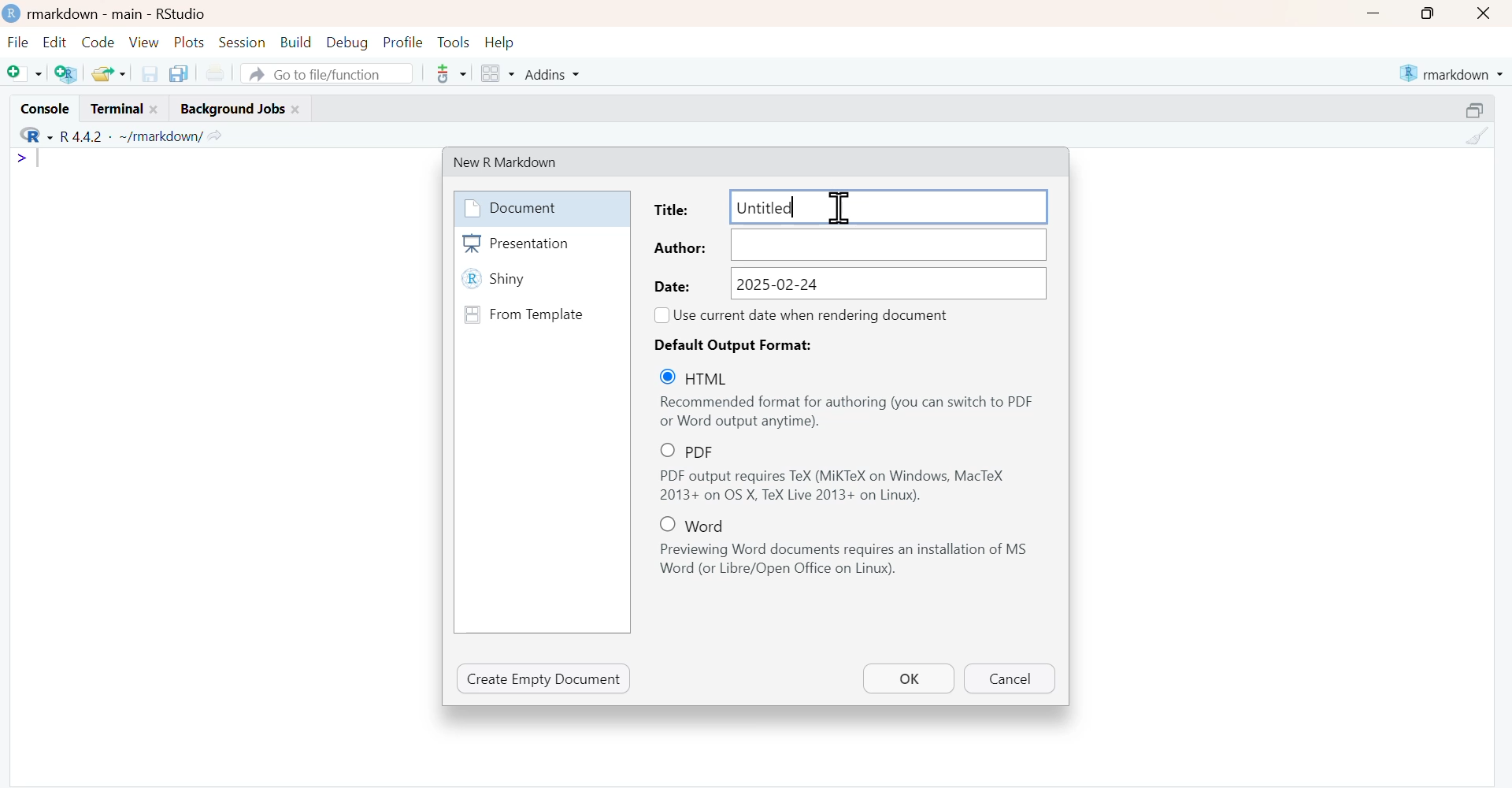  Describe the element at coordinates (149, 73) in the screenshot. I see `Save current document` at that location.